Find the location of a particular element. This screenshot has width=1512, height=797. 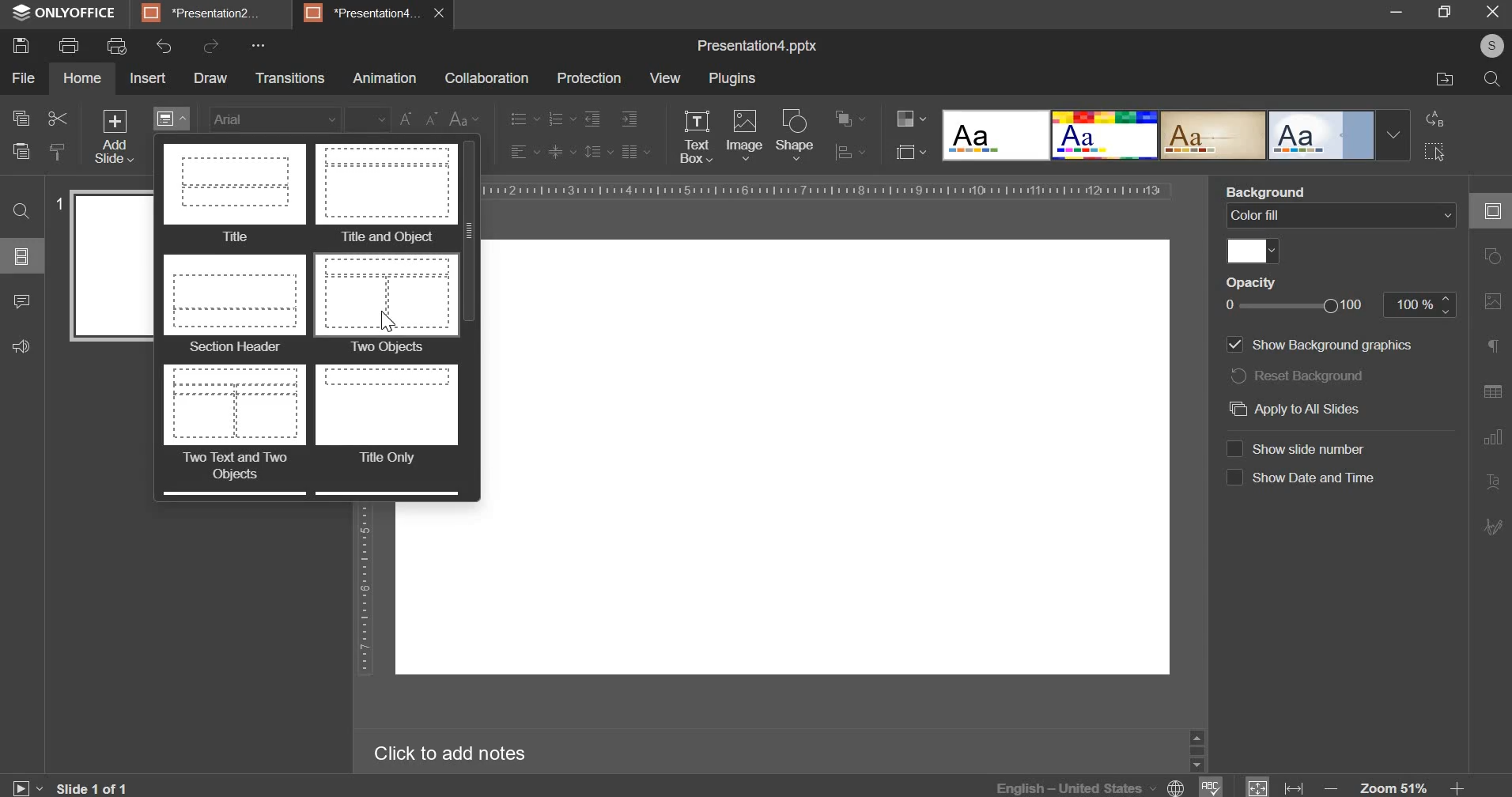

two objects is located at coordinates (387, 303).